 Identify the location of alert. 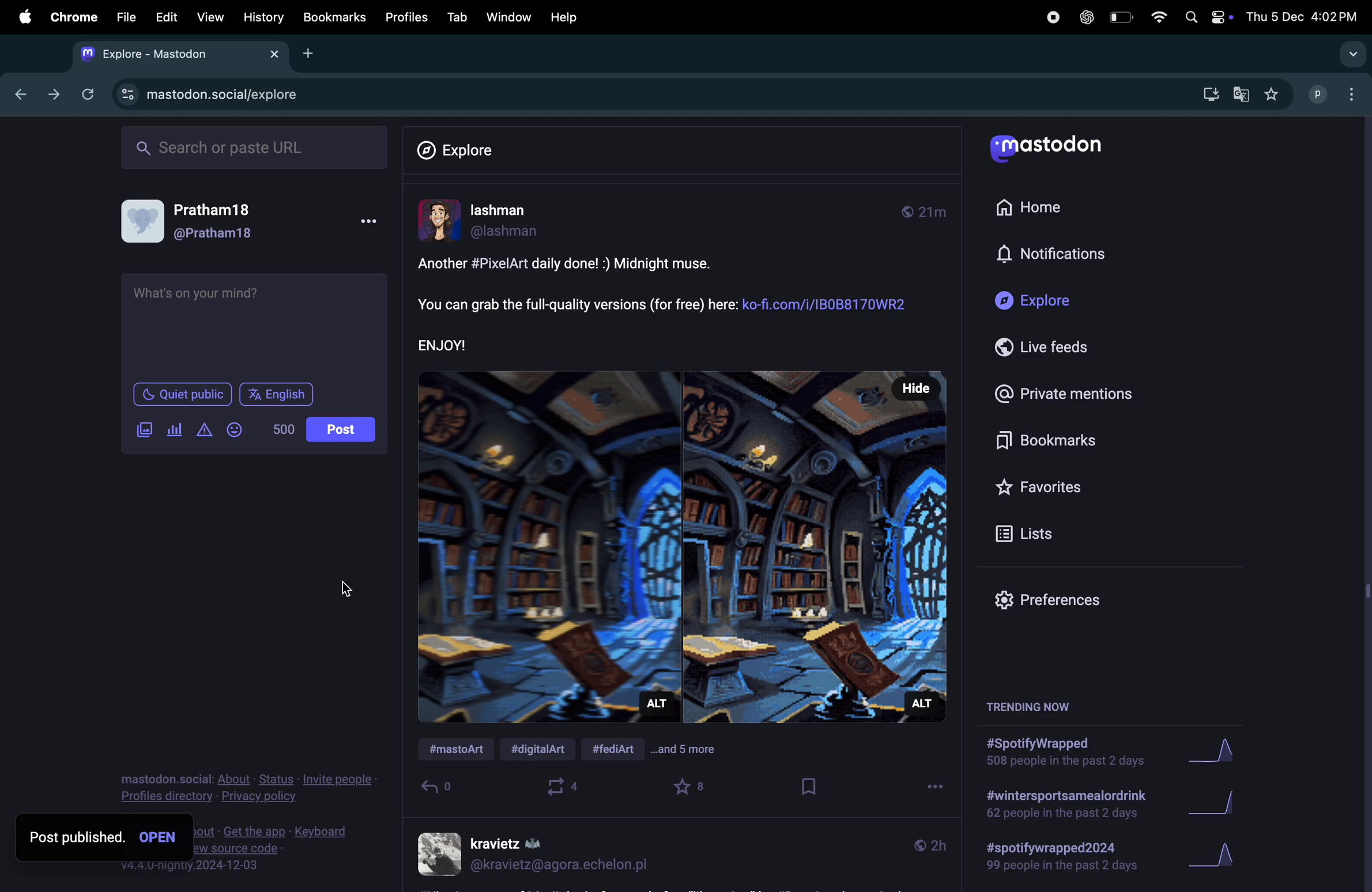
(203, 430).